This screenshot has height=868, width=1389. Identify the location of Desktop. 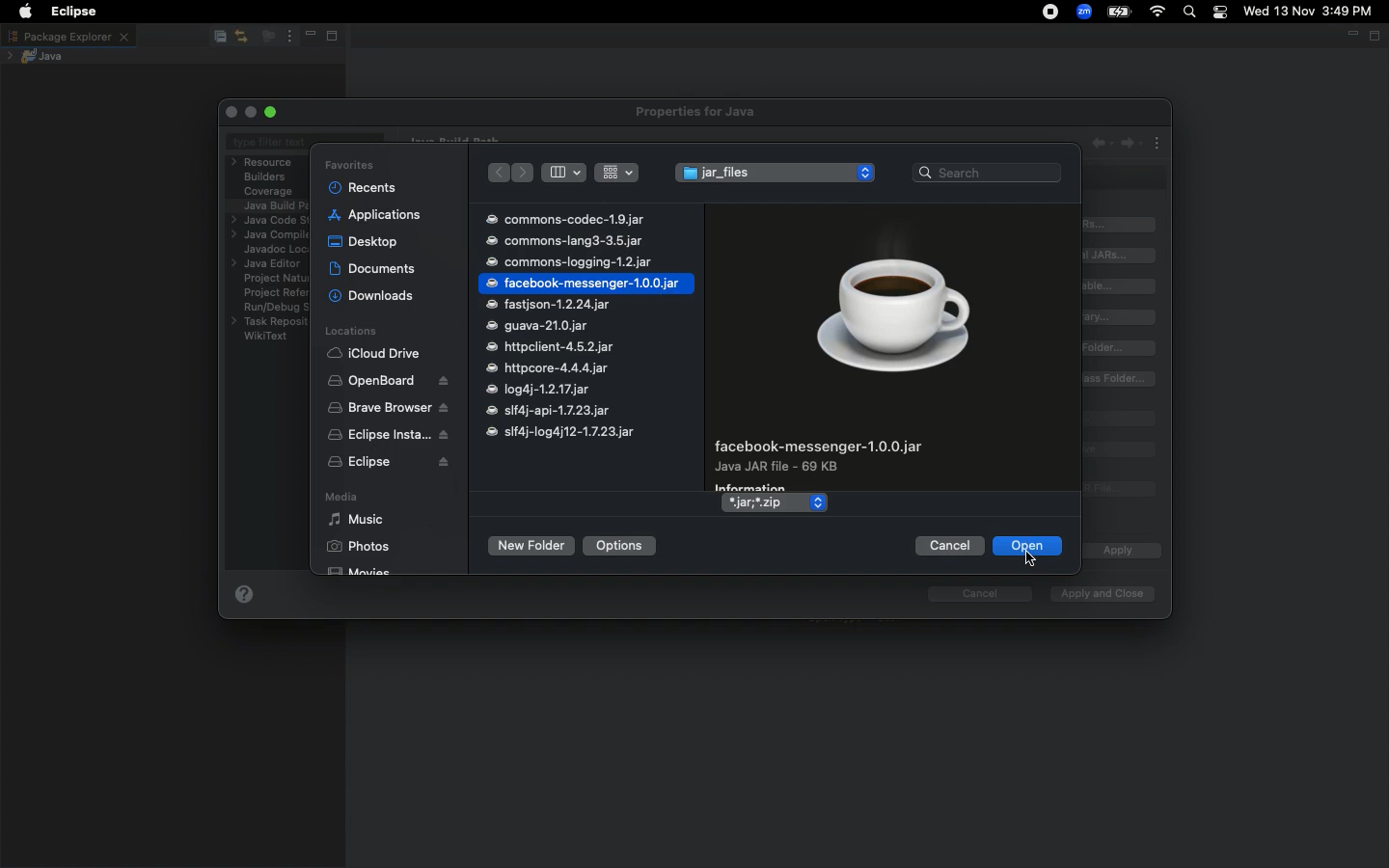
(363, 240).